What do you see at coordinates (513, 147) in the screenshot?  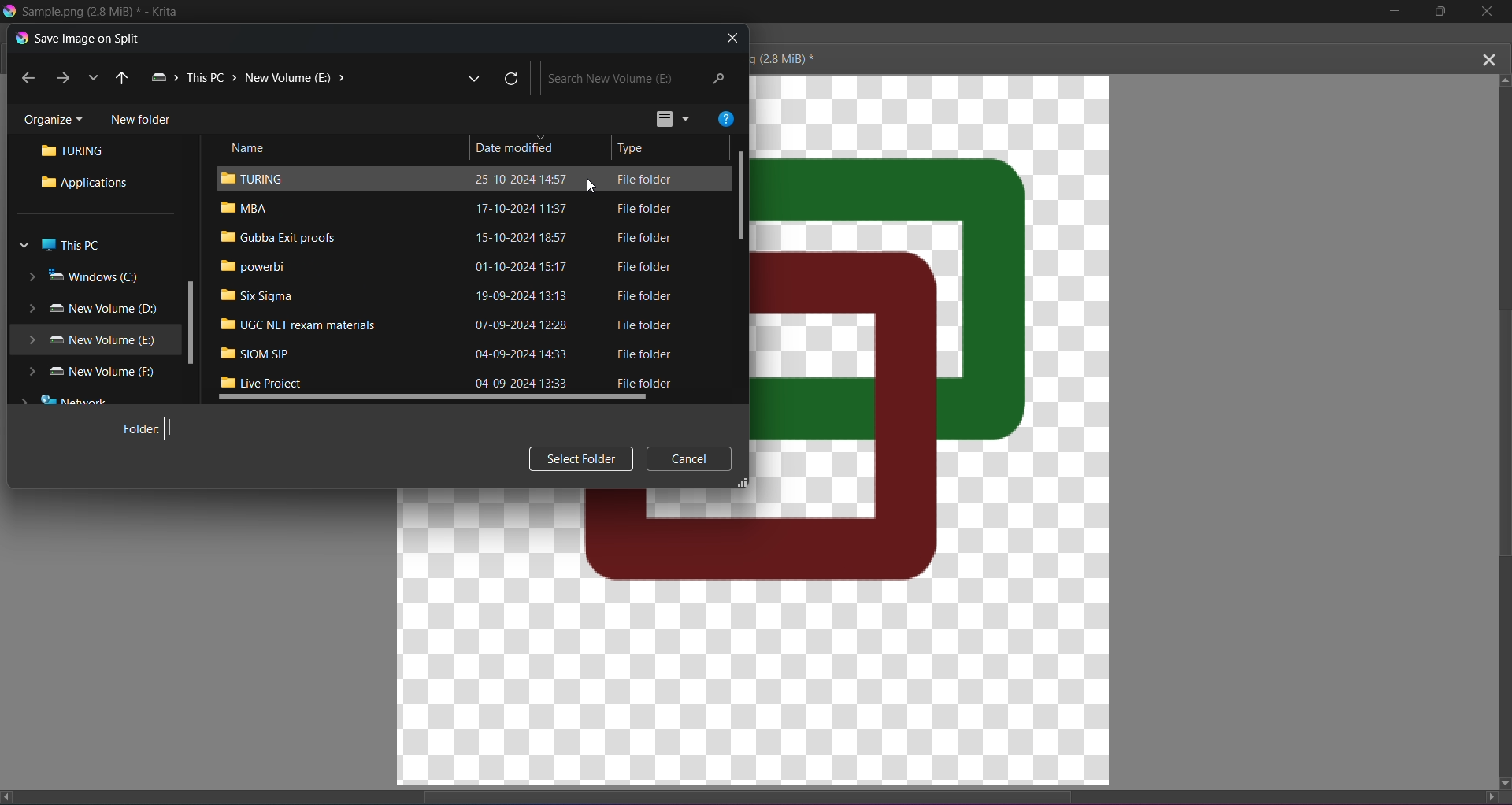 I see `Date modified` at bounding box center [513, 147].